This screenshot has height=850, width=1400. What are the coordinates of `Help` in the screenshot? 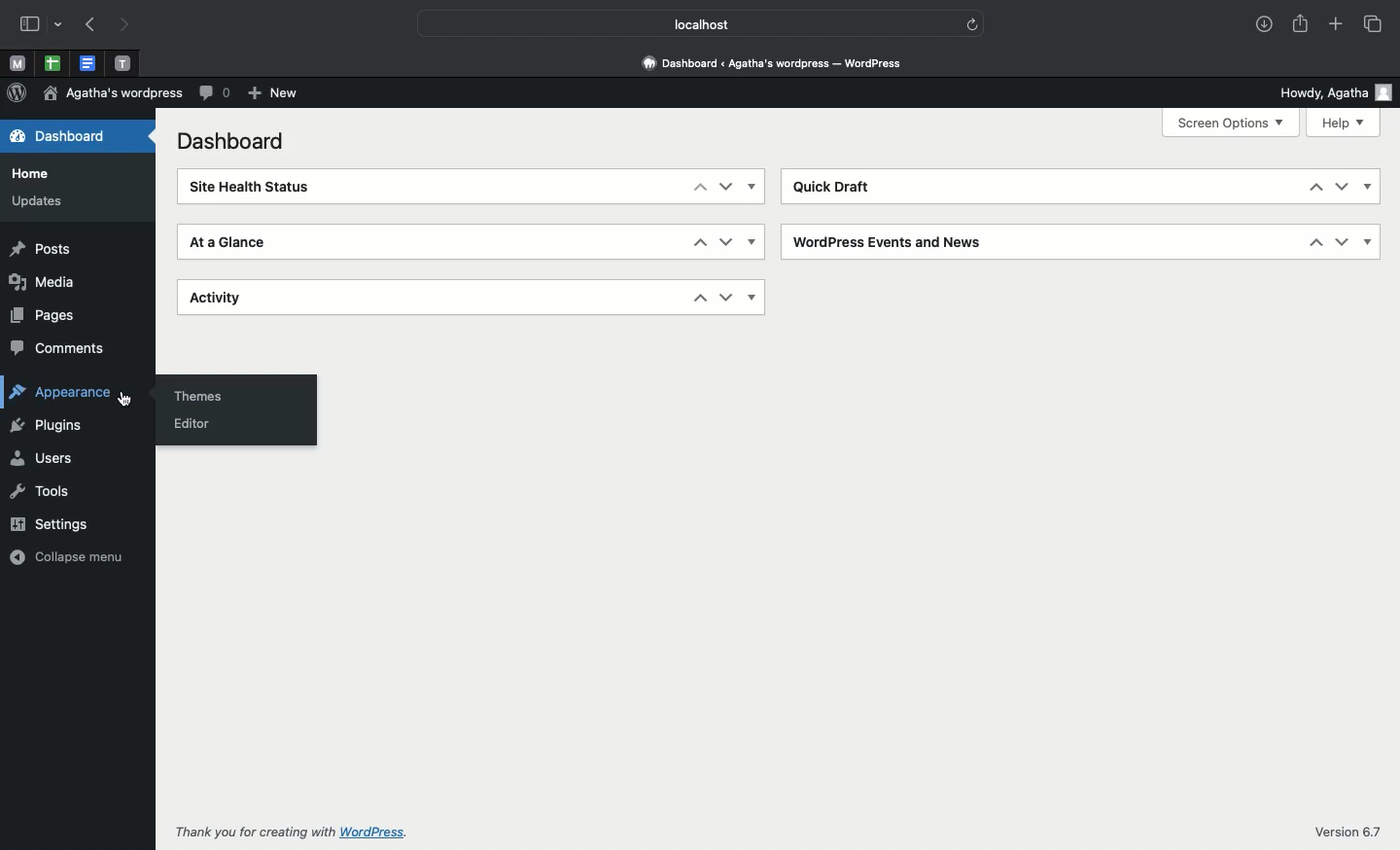 It's located at (1343, 124).